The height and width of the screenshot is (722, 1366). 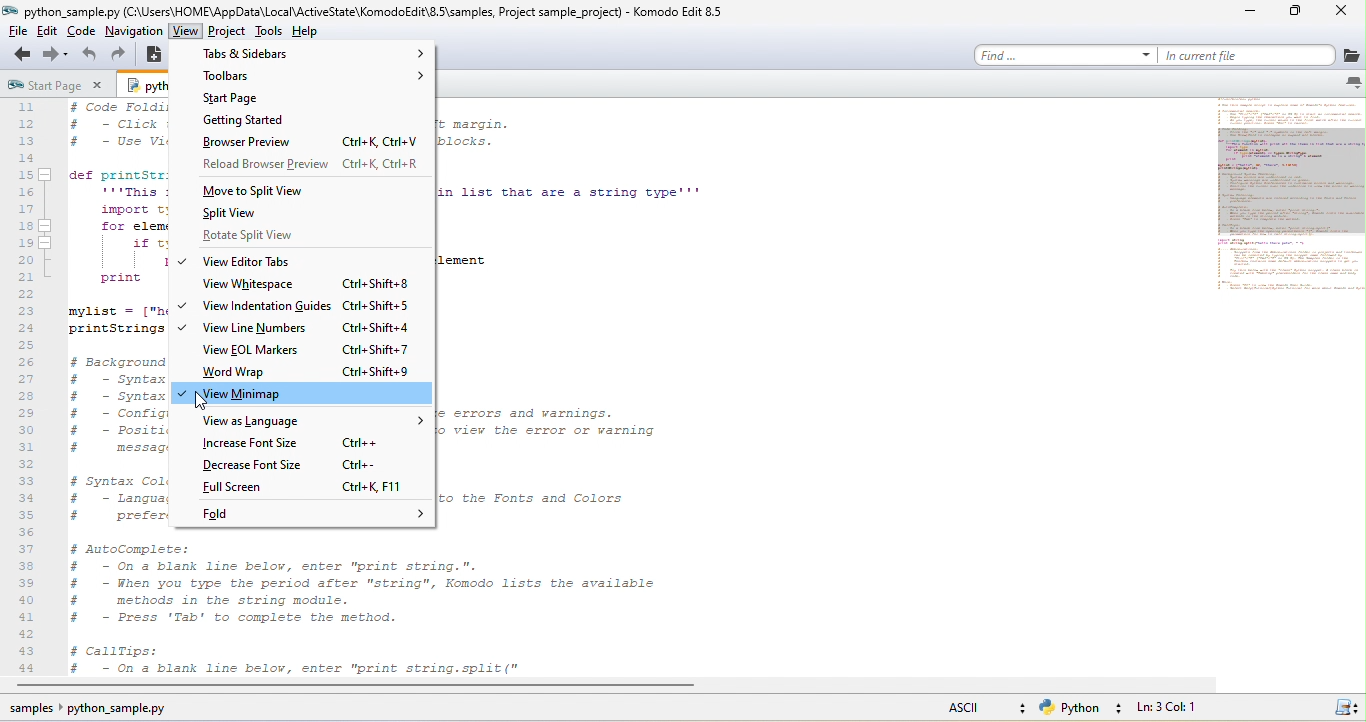 What do you see at coordinates (203, 401) in the screenshot?
I see `cursor movement` at bounding box center [203, 401].